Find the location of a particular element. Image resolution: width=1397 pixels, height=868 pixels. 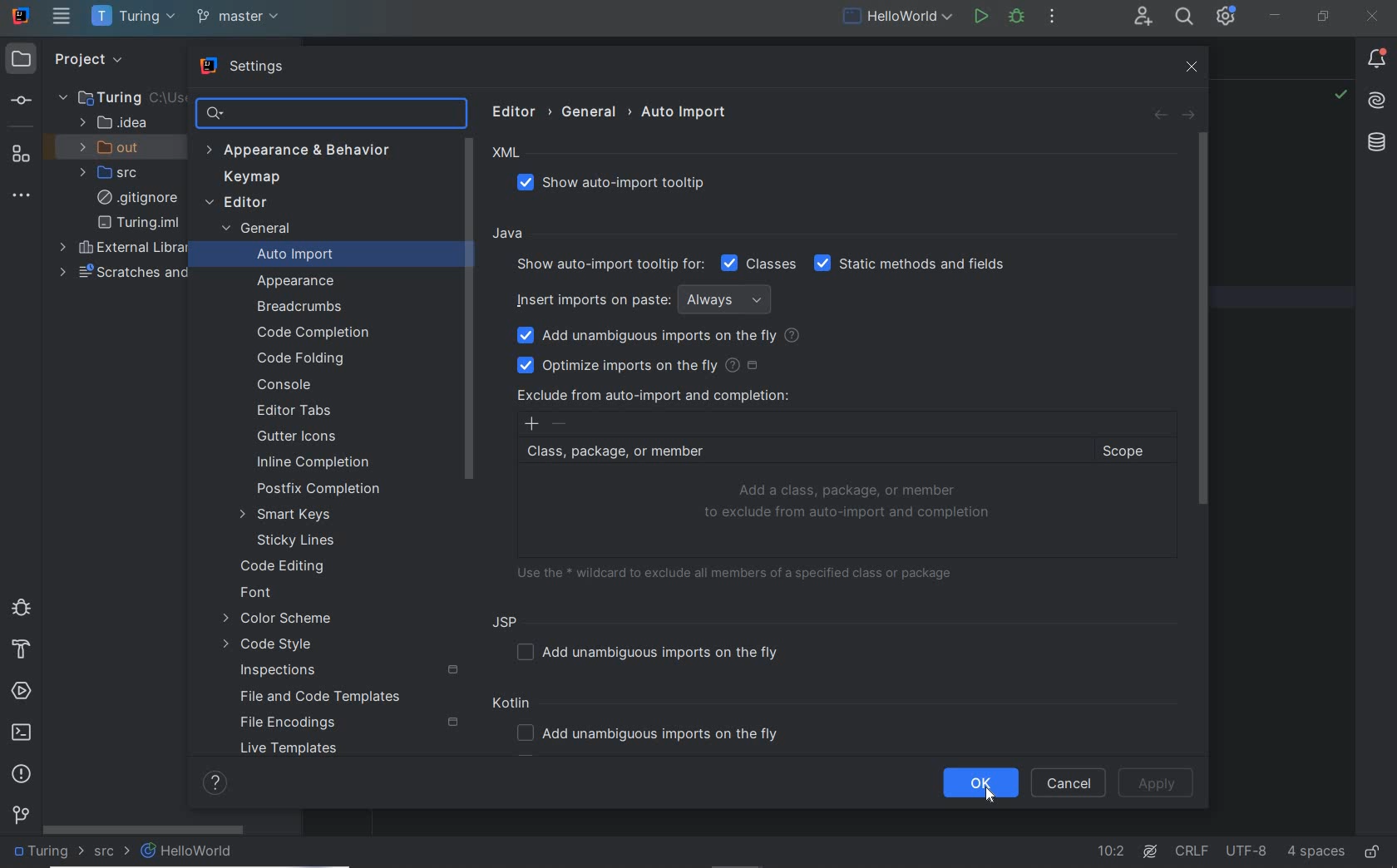

EDIT OR READ ONLY is located at coordinates (1374, 844).